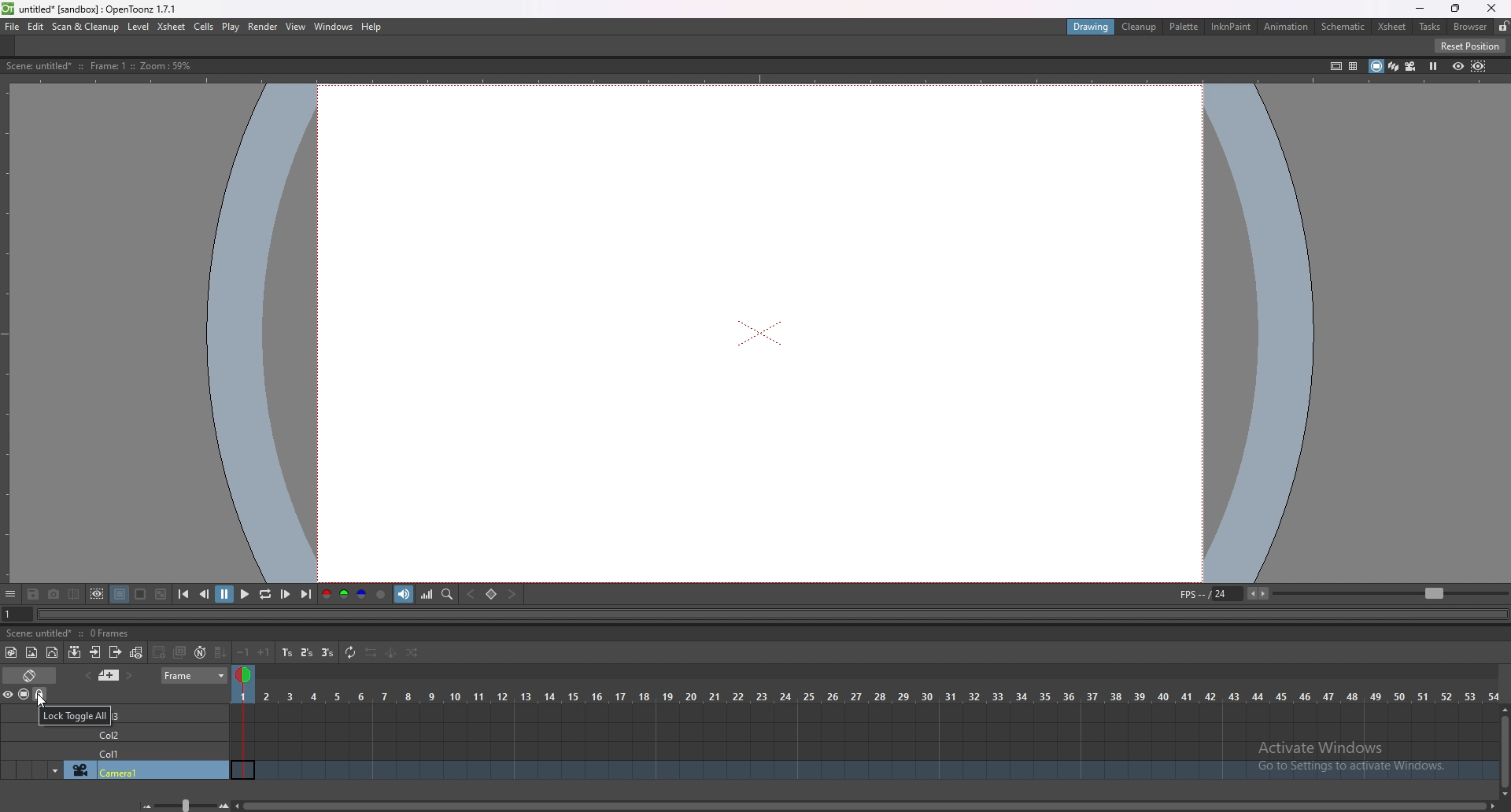 Image resolution: width=1511 pixels, height=812 pixels. I want to click on random, so click(412, 654).